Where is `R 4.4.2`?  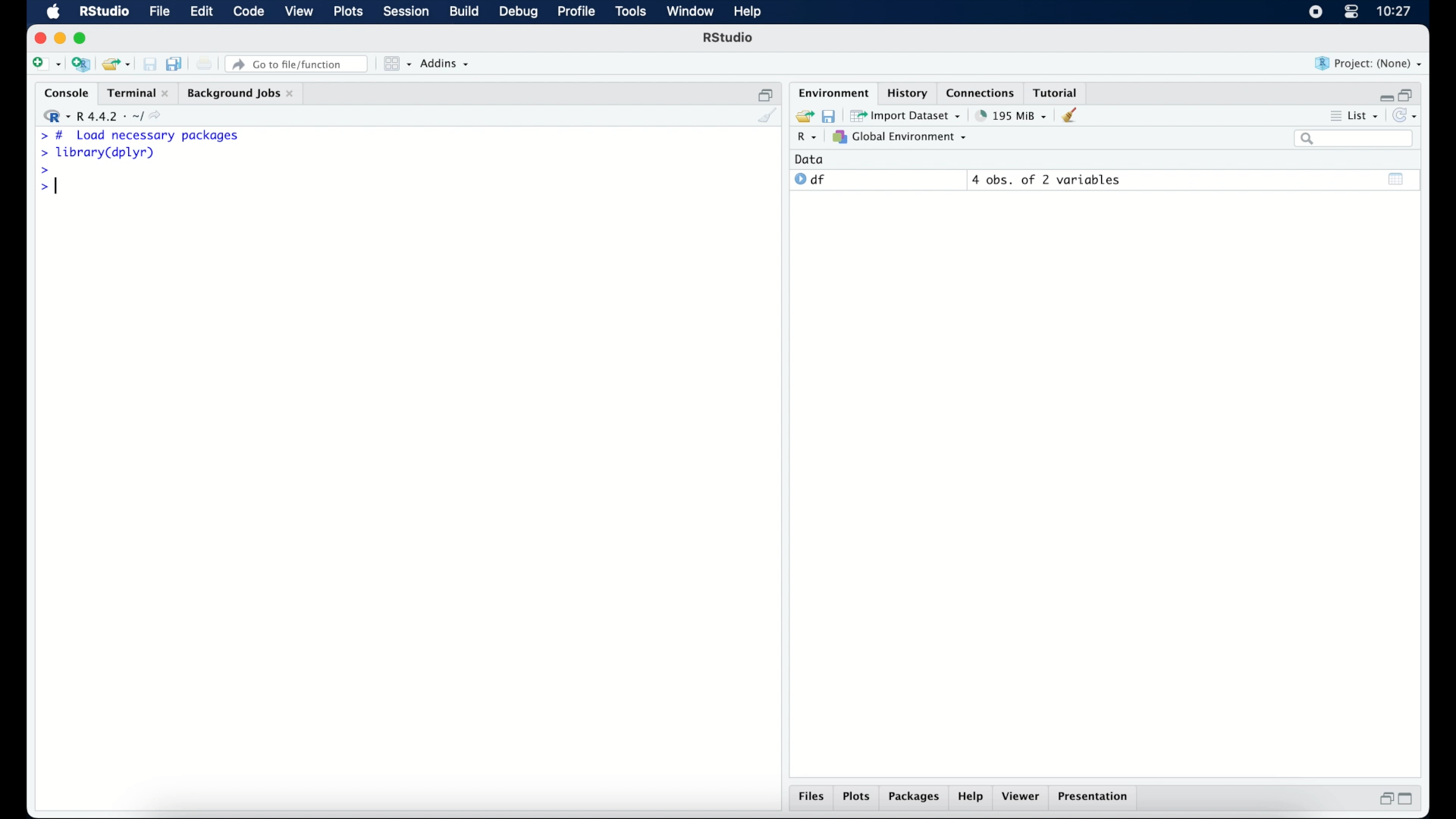
R 4.4.2 is located at coordinates (106, 117).